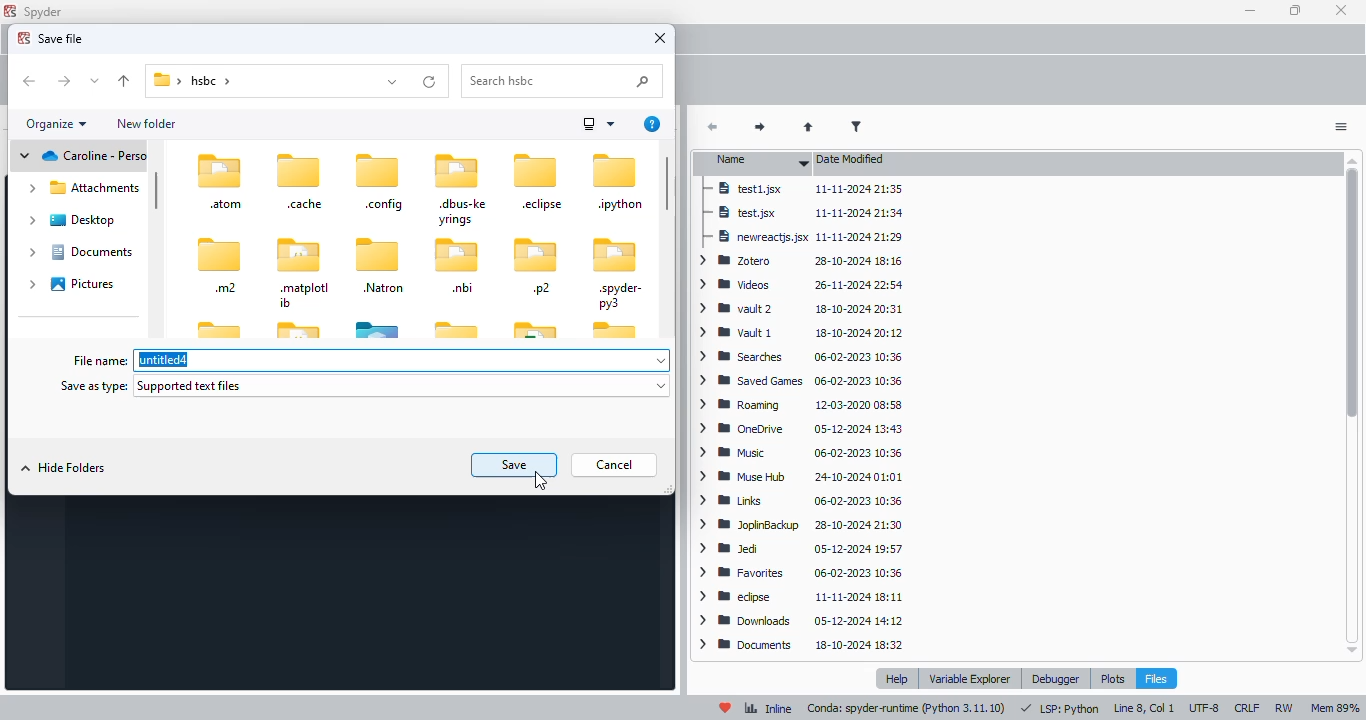 This screenshot has height=720, width=1366. What do you see at coordinates (304, 184) in the screenshot?
I see `.cache` at bounding box center [304, 184].